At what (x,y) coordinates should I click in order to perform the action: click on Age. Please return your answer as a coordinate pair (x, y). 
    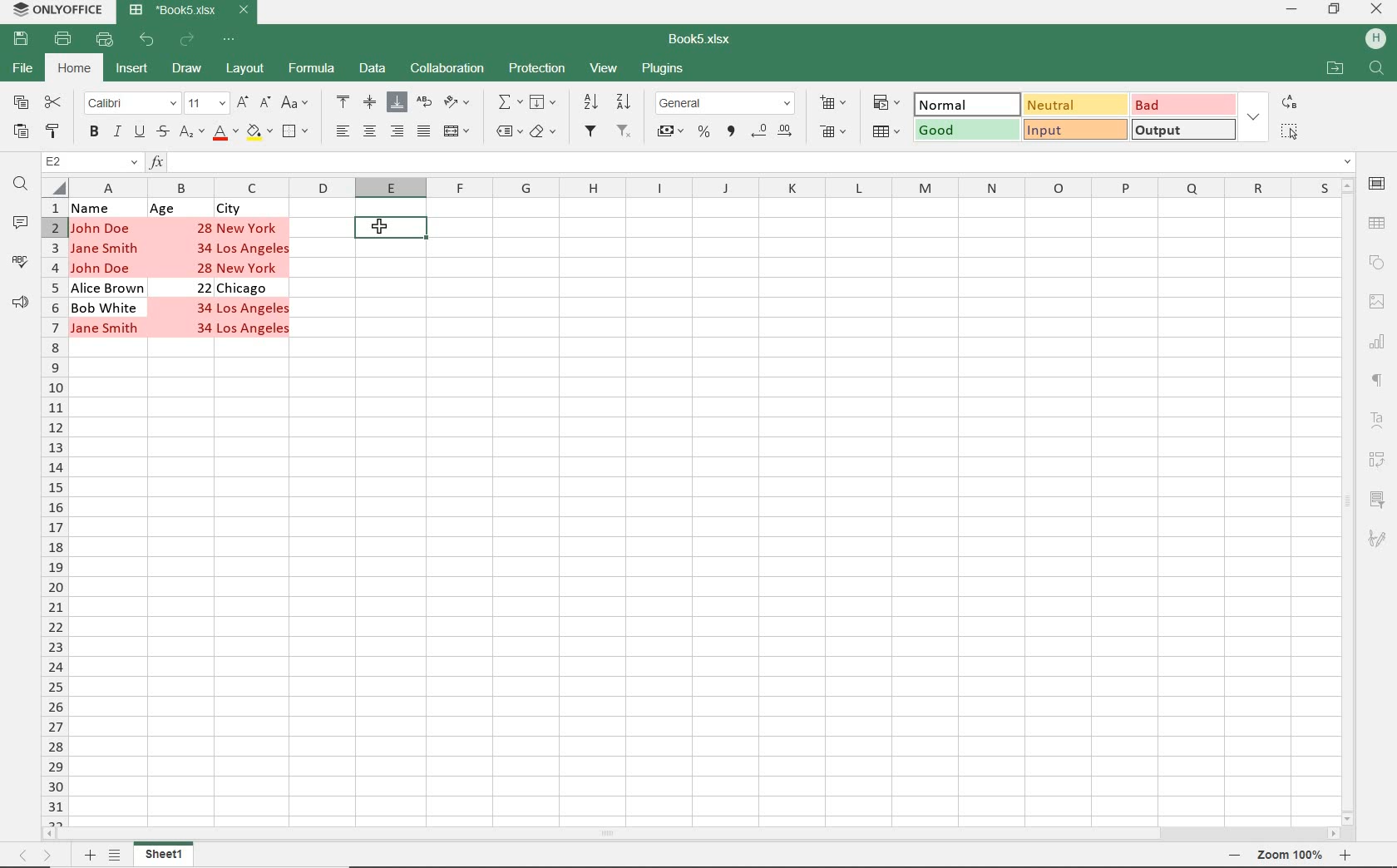
    Looking at the image, I should click on (164, 209).